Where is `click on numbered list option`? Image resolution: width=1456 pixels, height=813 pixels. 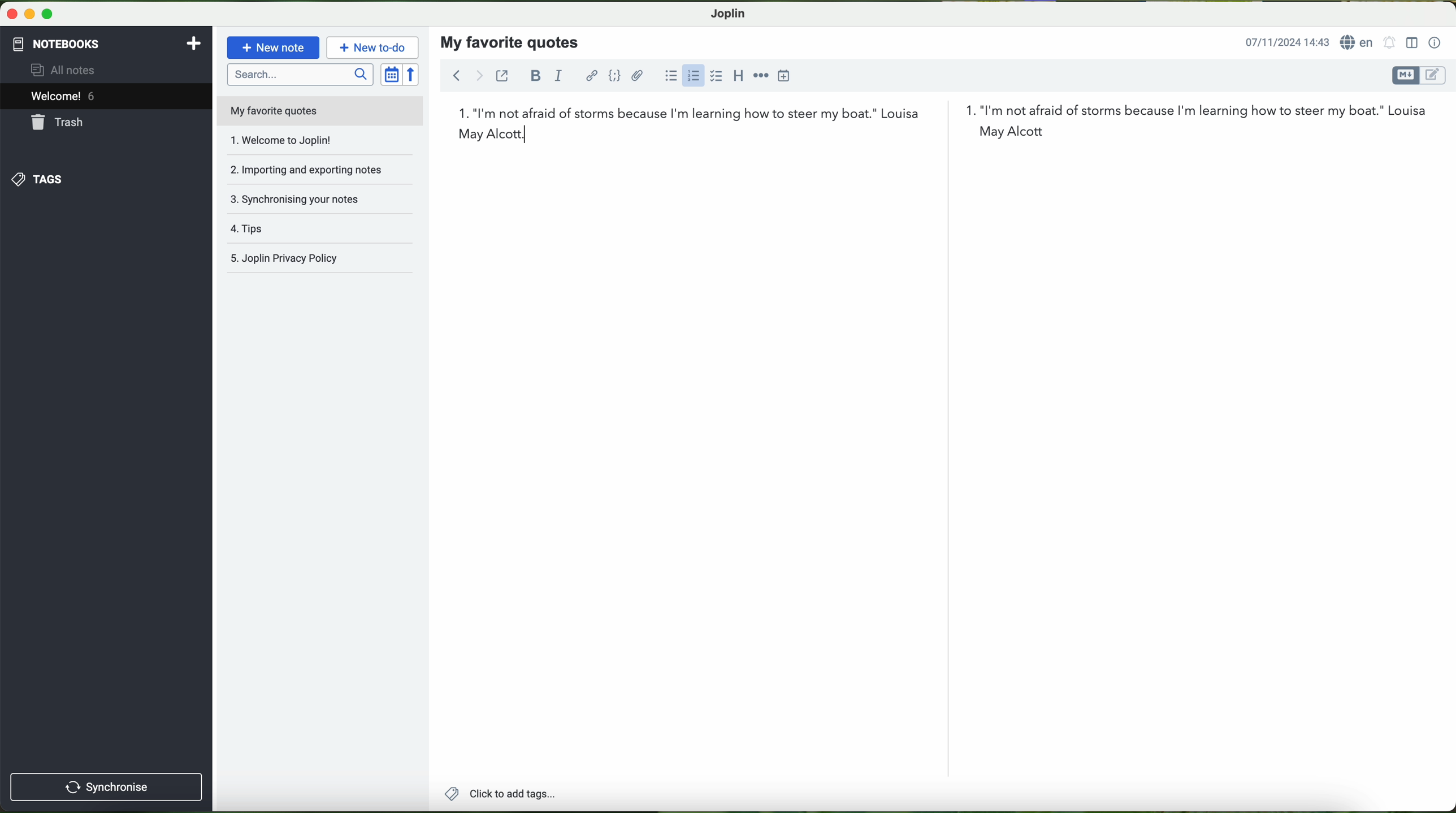 click on numbered list option is located at coordinates (691, 79).